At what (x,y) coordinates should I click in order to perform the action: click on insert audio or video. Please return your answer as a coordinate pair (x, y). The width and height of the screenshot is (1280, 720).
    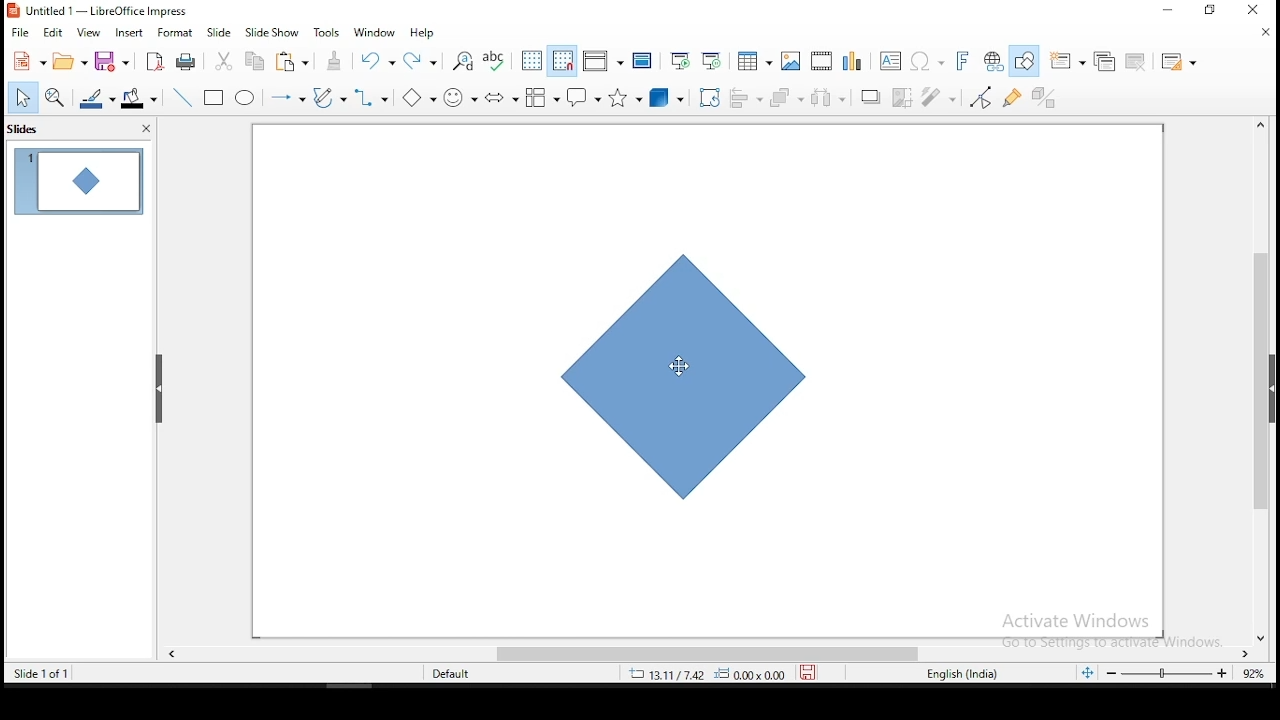
    Looking at the image, I should click on (823, 59).